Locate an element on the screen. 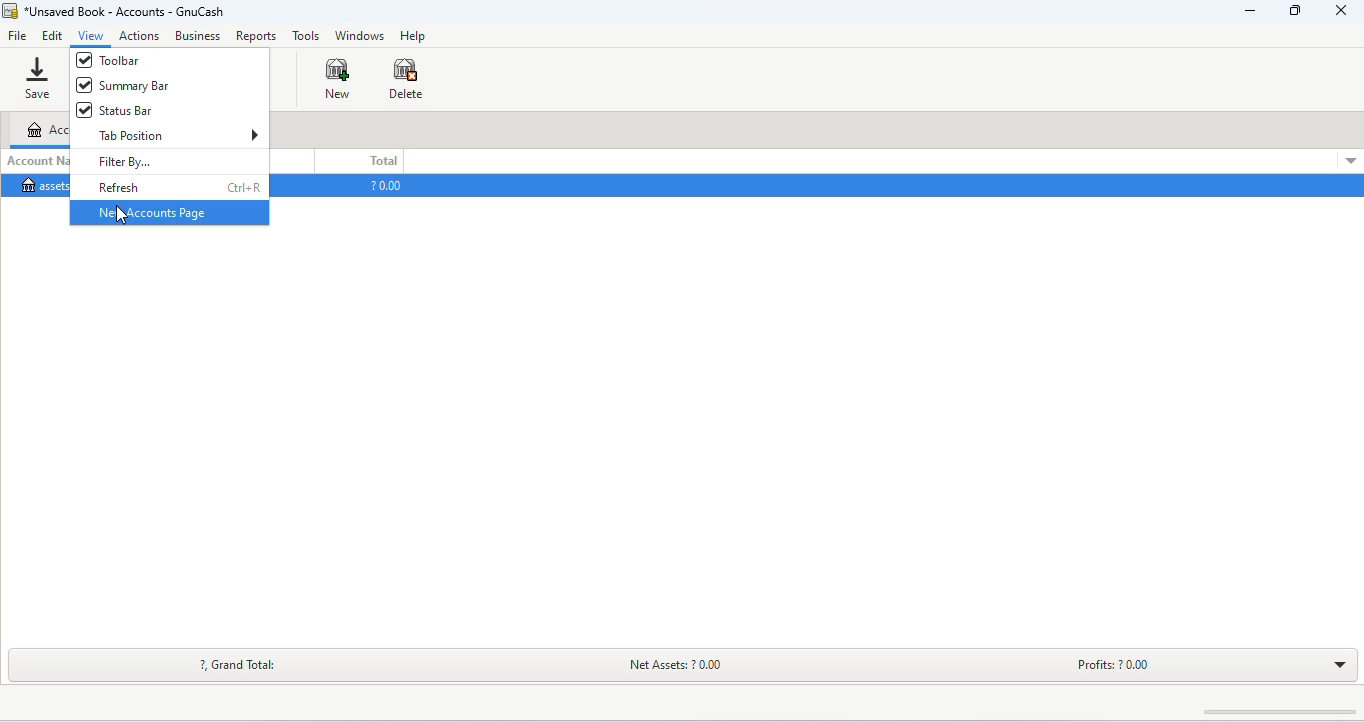 This screenshot has width=1364, height=722. cursor movement is located at coordinates (123, 215).